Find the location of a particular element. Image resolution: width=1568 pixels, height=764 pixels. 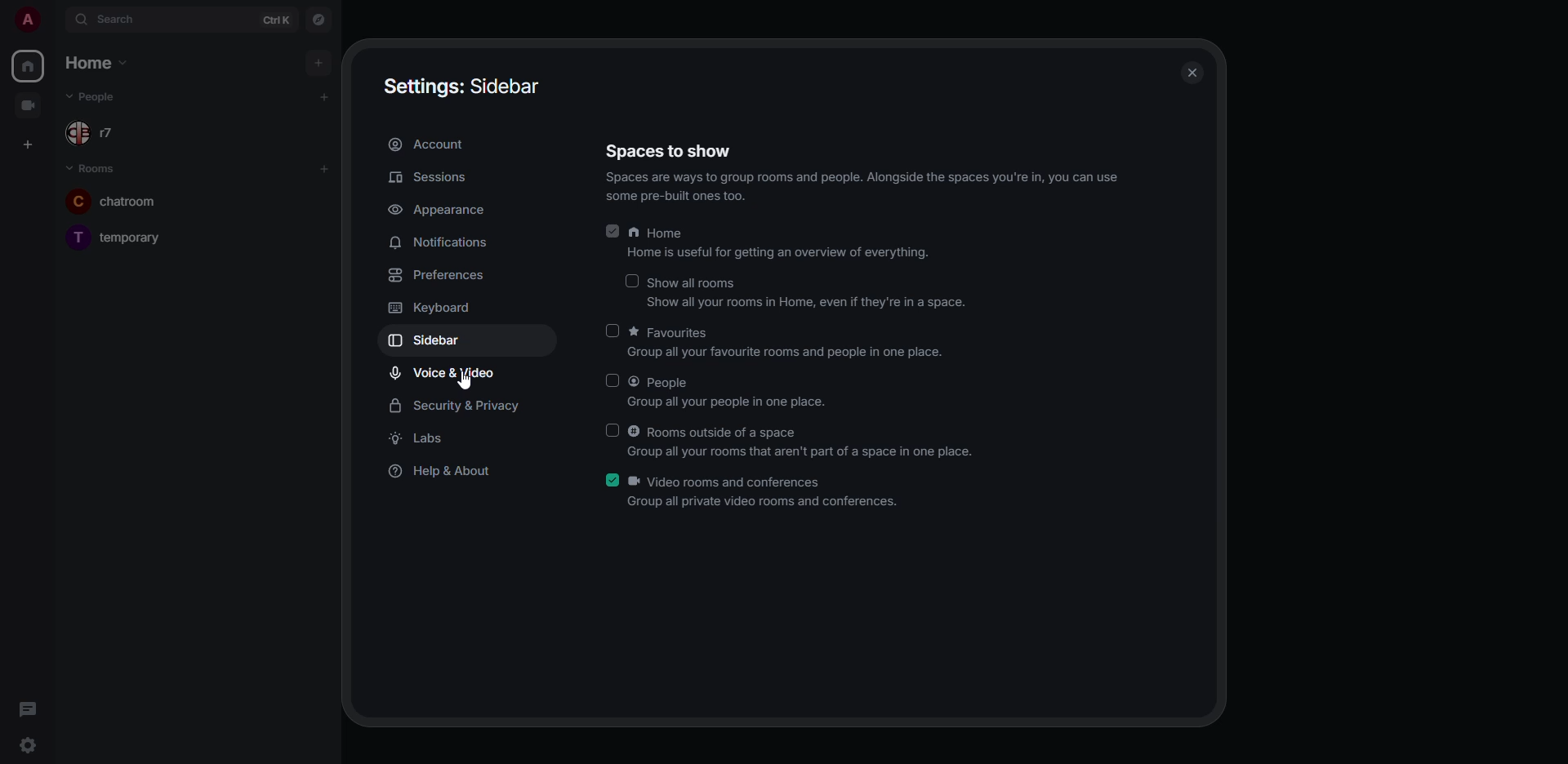

click to enable is located at coordinates (609, 429).